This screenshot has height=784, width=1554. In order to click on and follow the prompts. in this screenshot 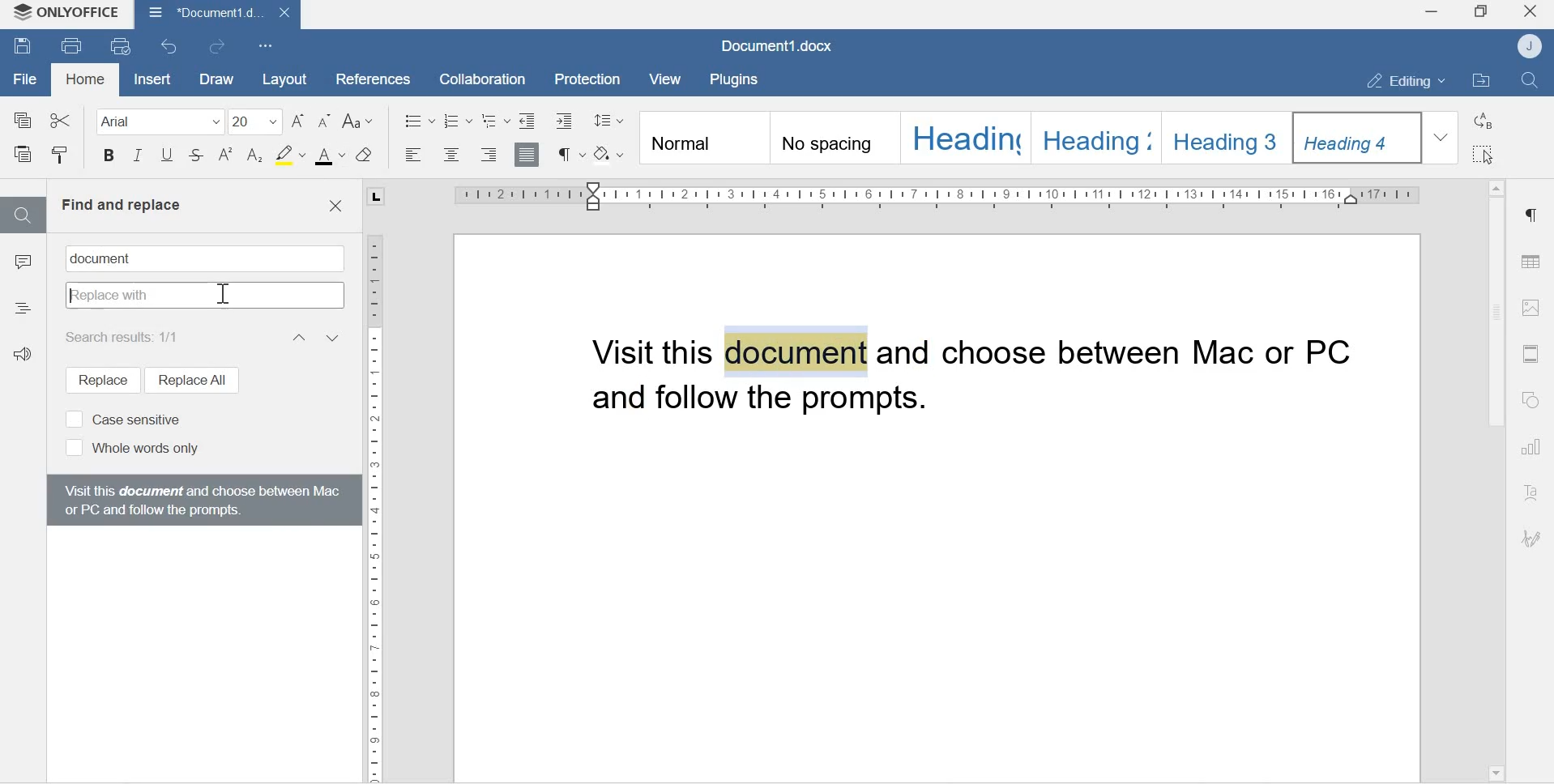, I will do `click(776, 404)`.